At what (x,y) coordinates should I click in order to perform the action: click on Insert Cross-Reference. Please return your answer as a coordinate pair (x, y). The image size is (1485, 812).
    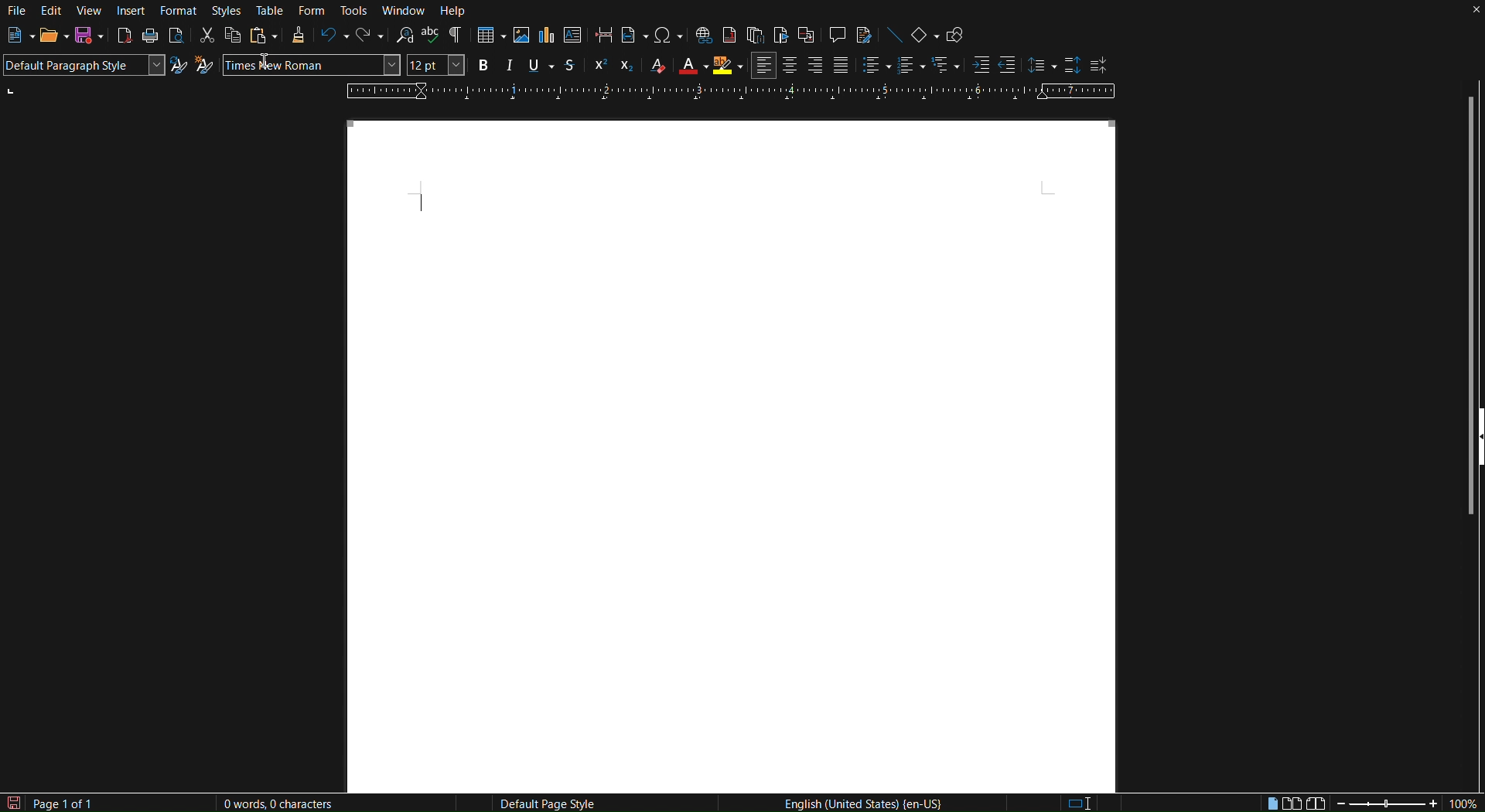
    Looking at the image, I should click on (807, 37).